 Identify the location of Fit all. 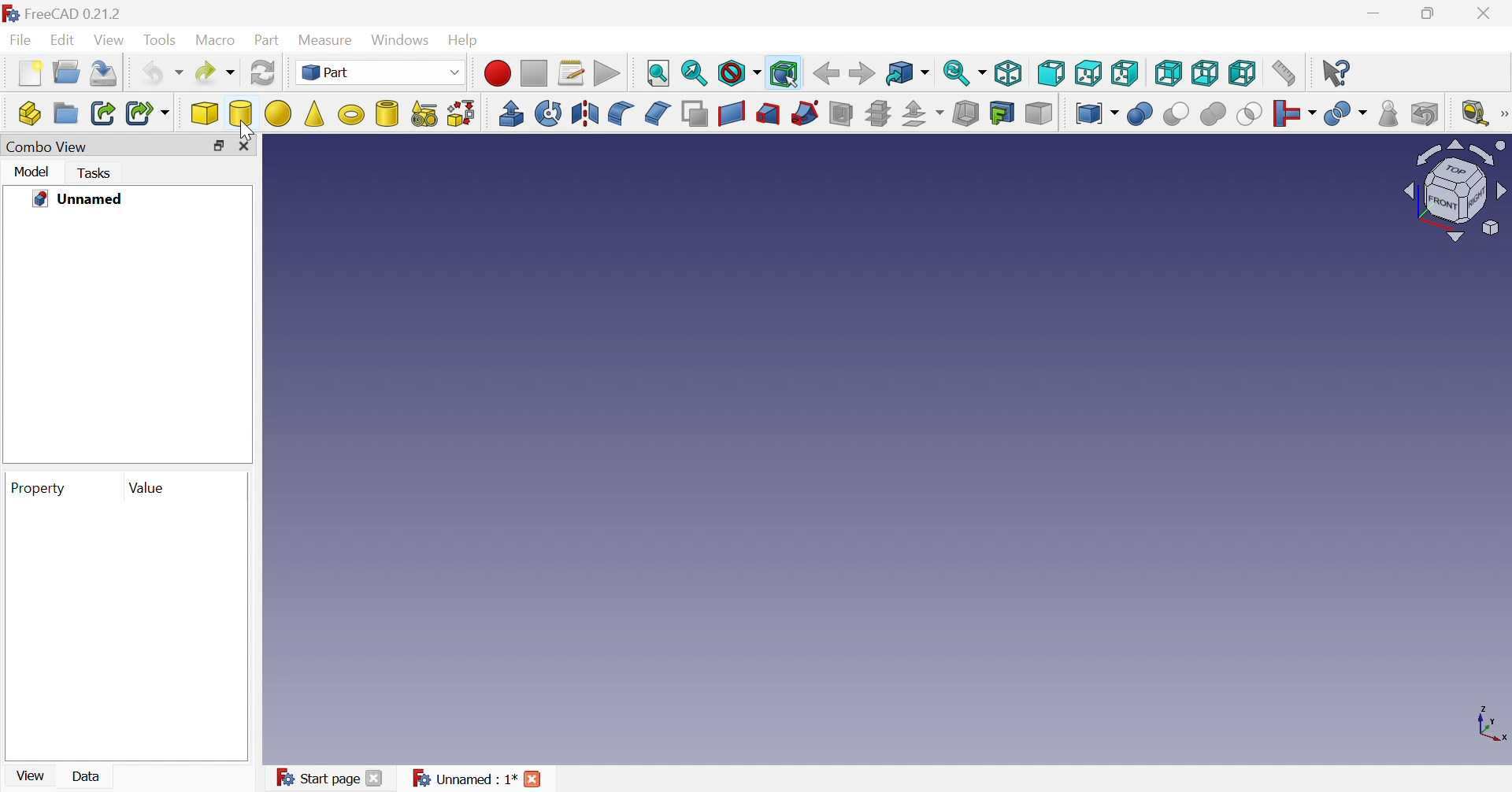
(660, 72).